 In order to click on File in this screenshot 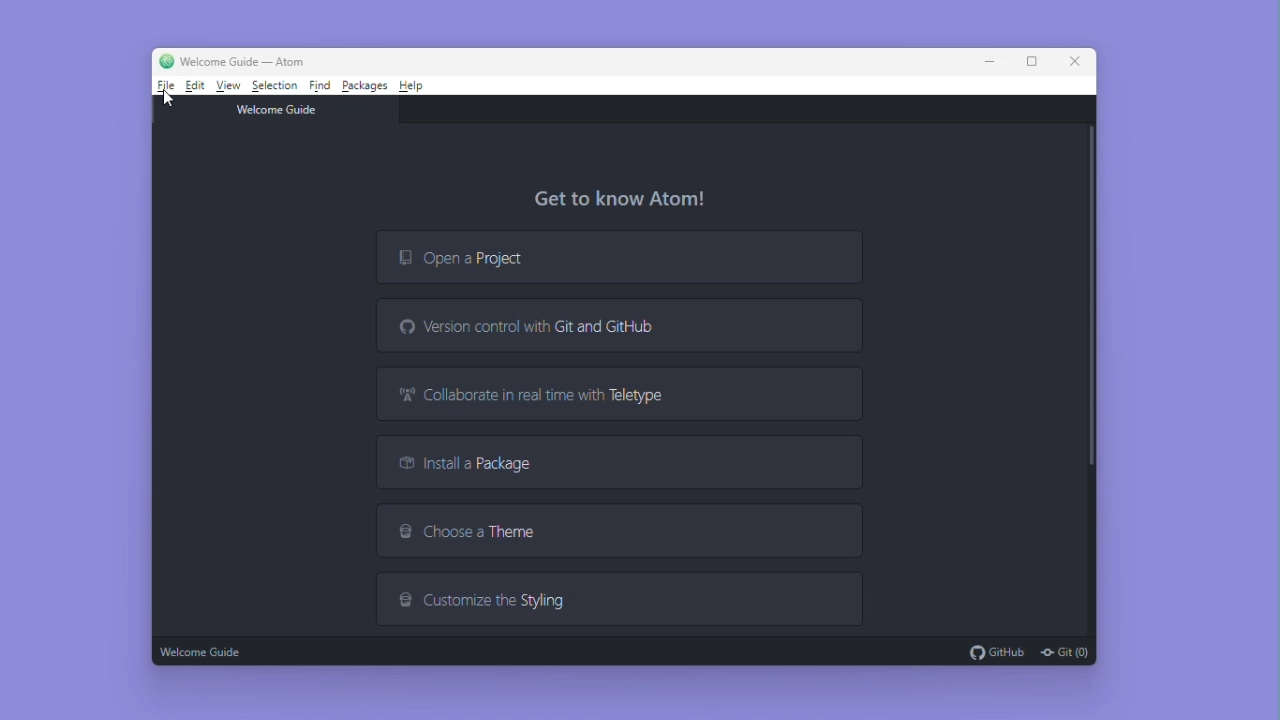, I will do `click(163, 88)`.